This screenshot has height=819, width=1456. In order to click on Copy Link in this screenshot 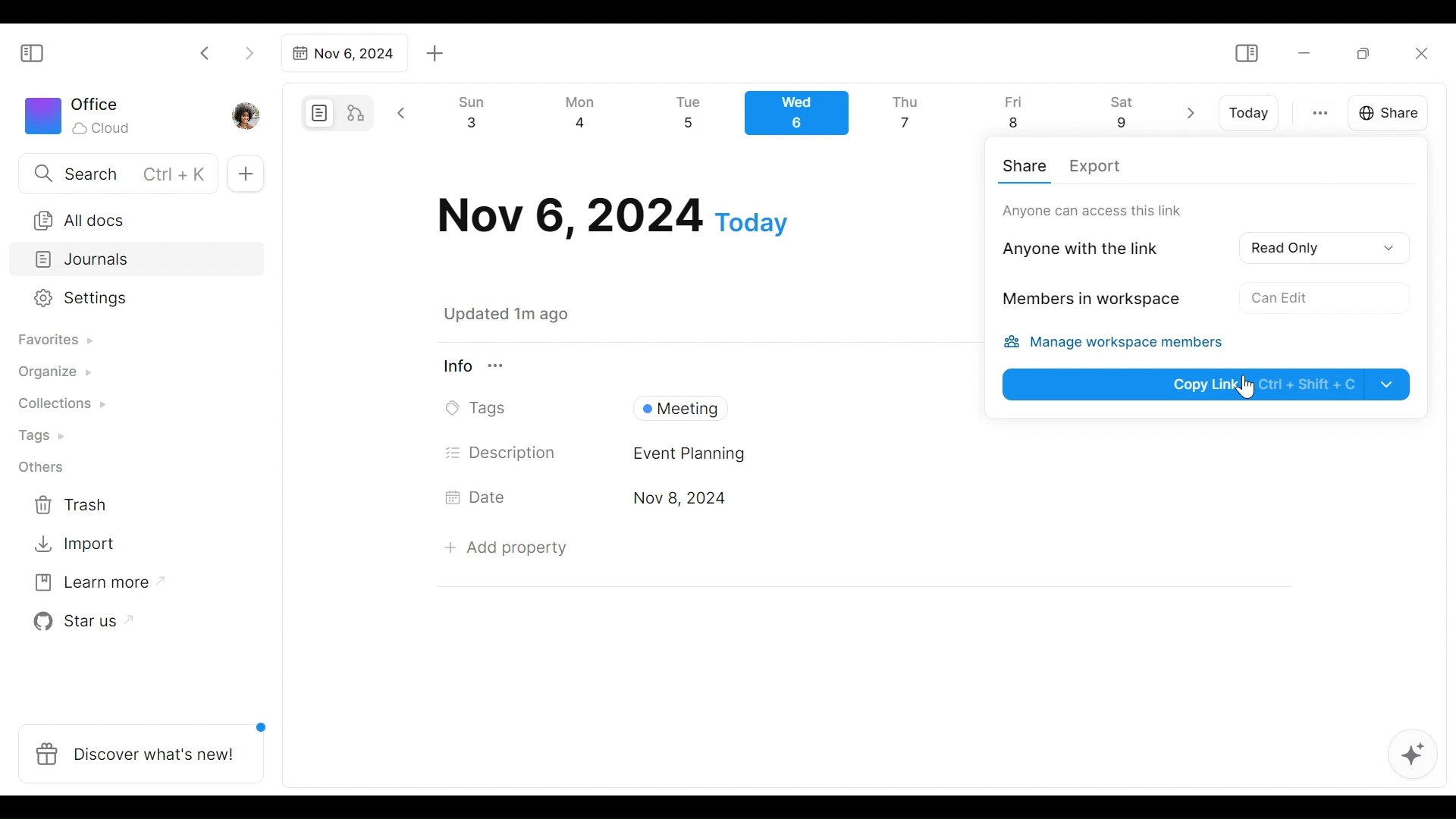, I will do `click(1208, 384)`.